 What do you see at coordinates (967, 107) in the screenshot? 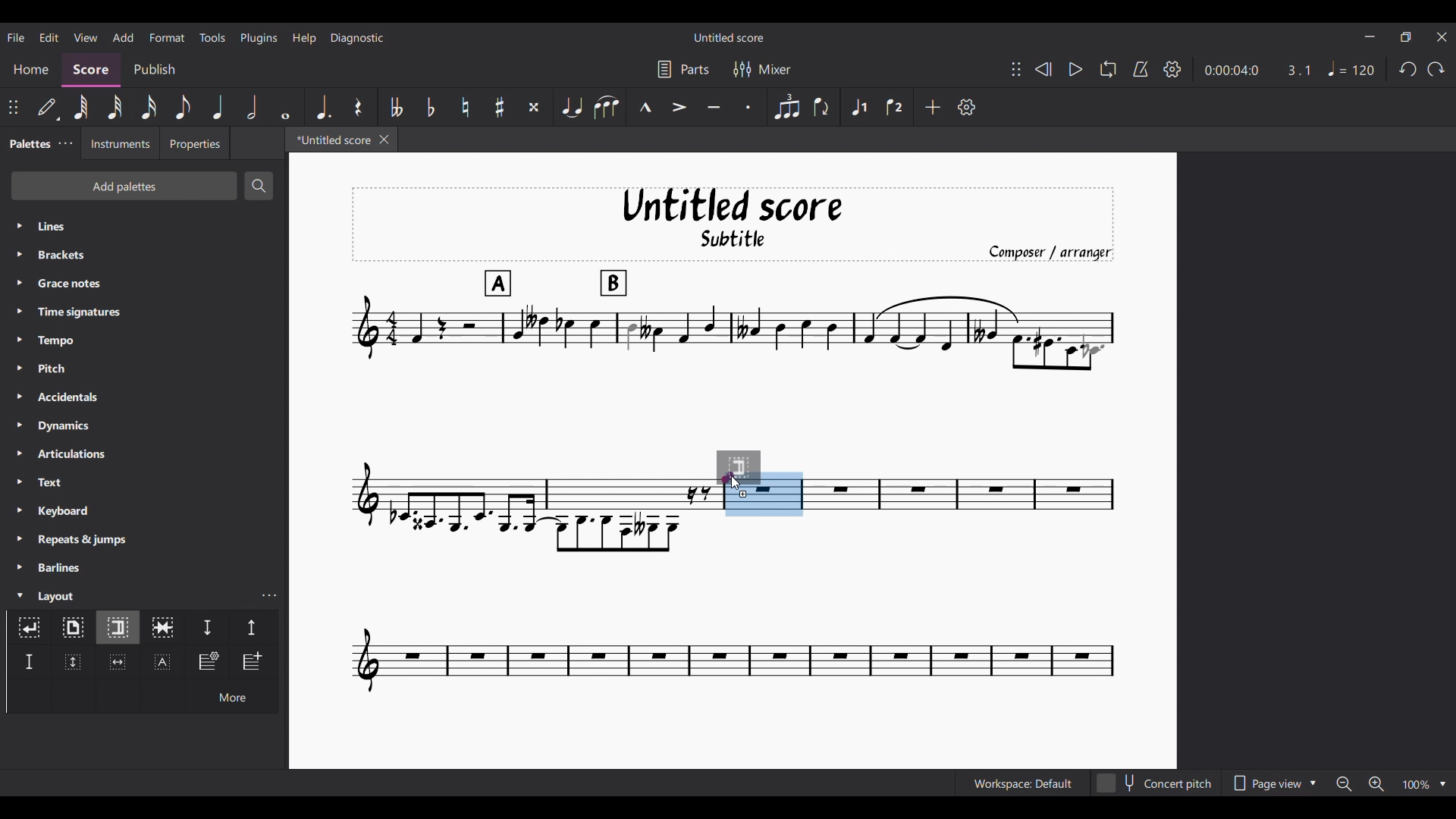
I see `Customize settings` at bounding box center [967, 107].